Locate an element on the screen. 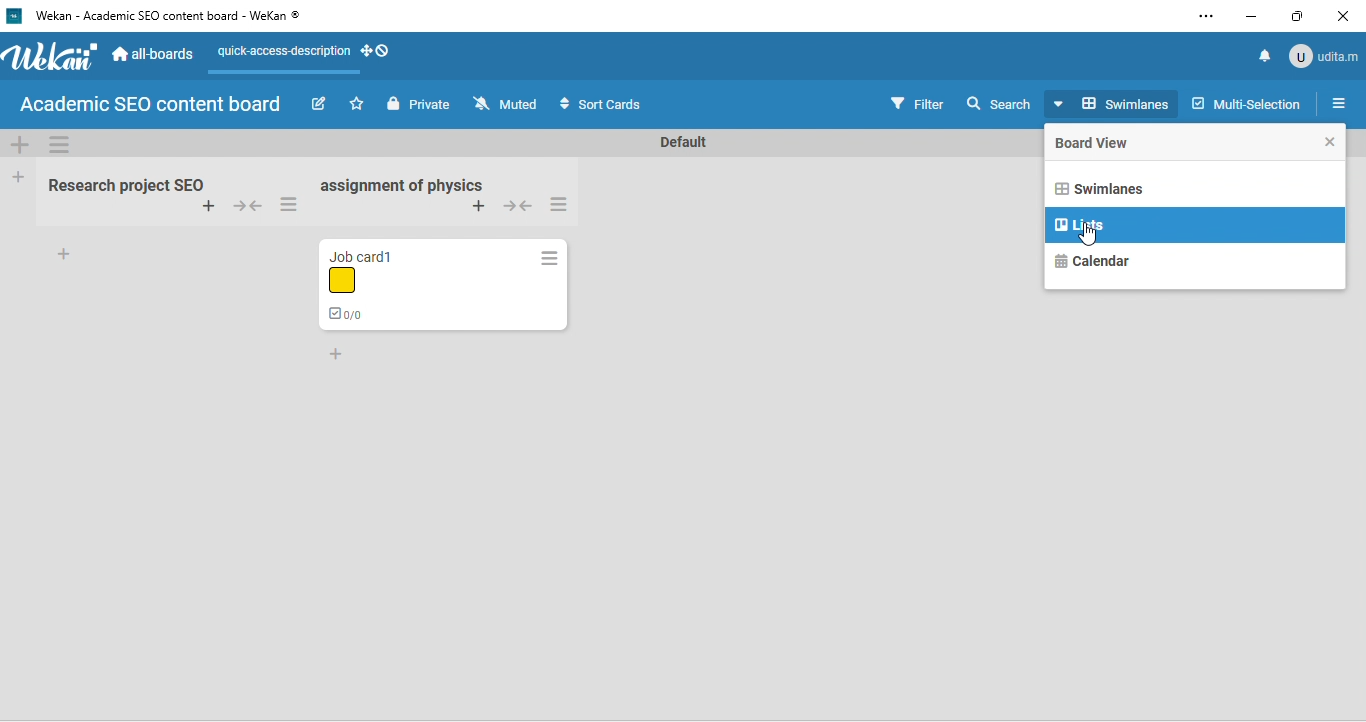 The width and height of the screenshot is (1366, 722). research project seo is located at coordinates (123, 182).